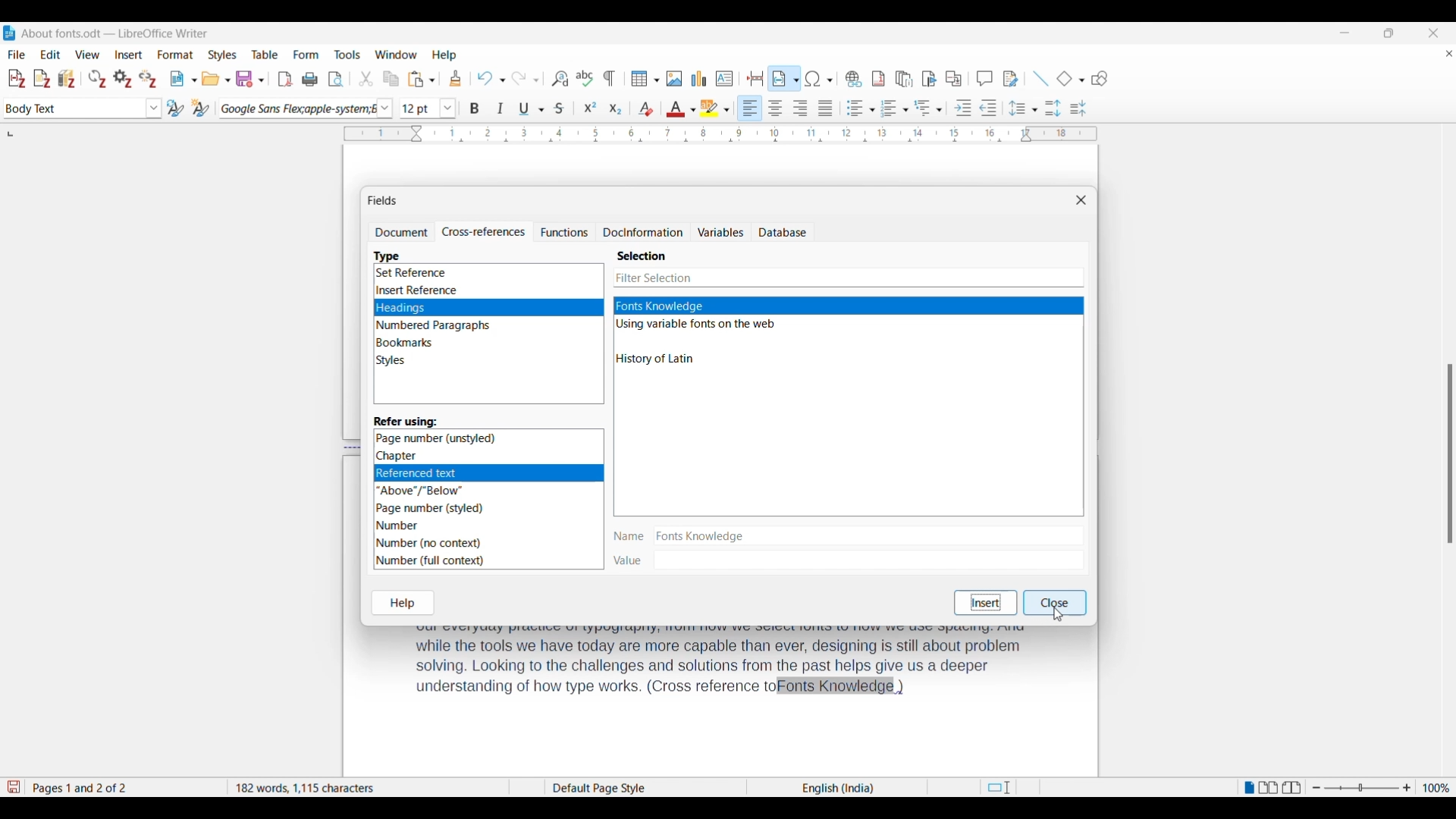  What do you see at coordinates (136, 61) in the screenshot?
I see `Cursor clicking on insert menu` at bounding box center [136, 61].